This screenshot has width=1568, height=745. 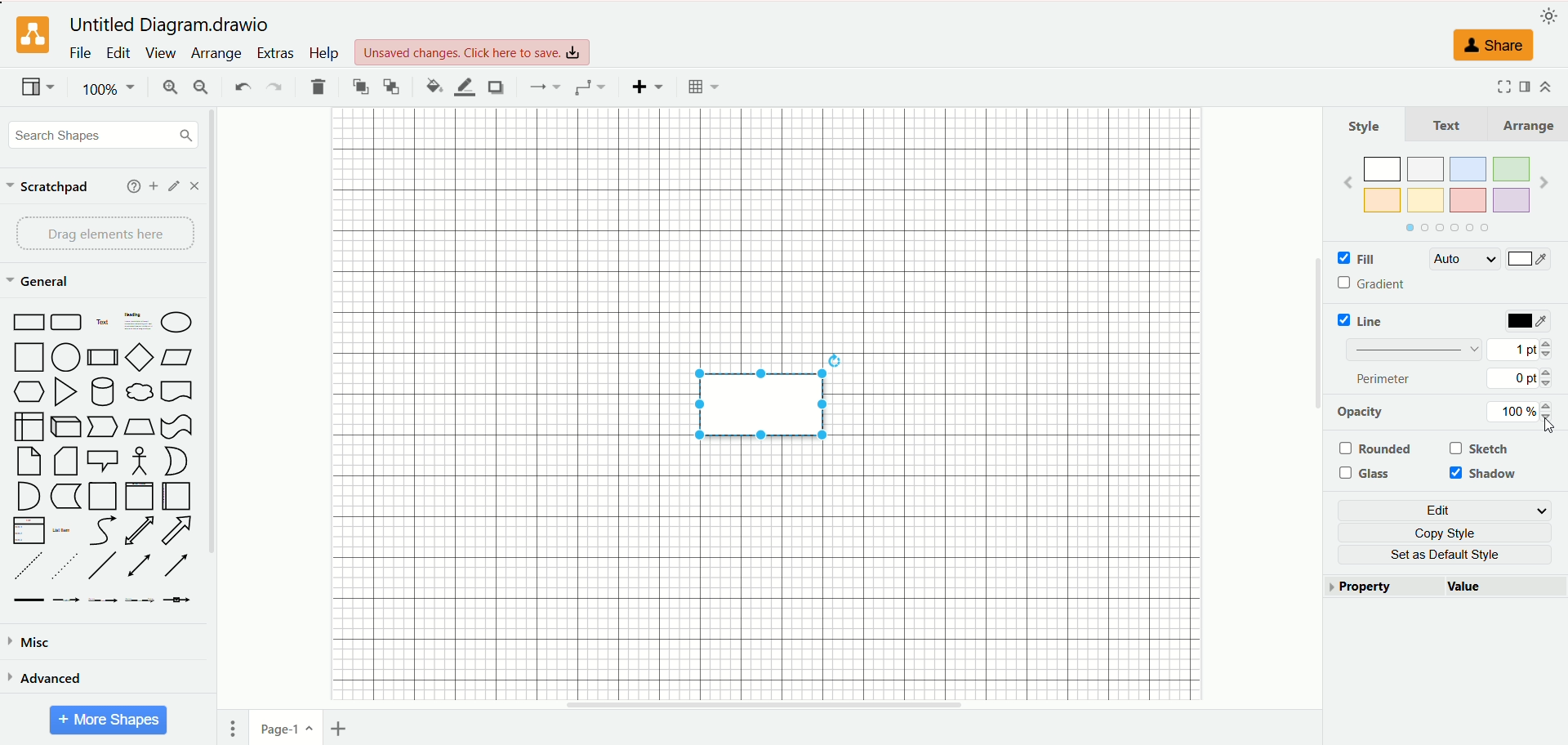 What do you see at coordinates (495, 87) in the screenshot?
I see `shadow` at bounding box center [495, 87].